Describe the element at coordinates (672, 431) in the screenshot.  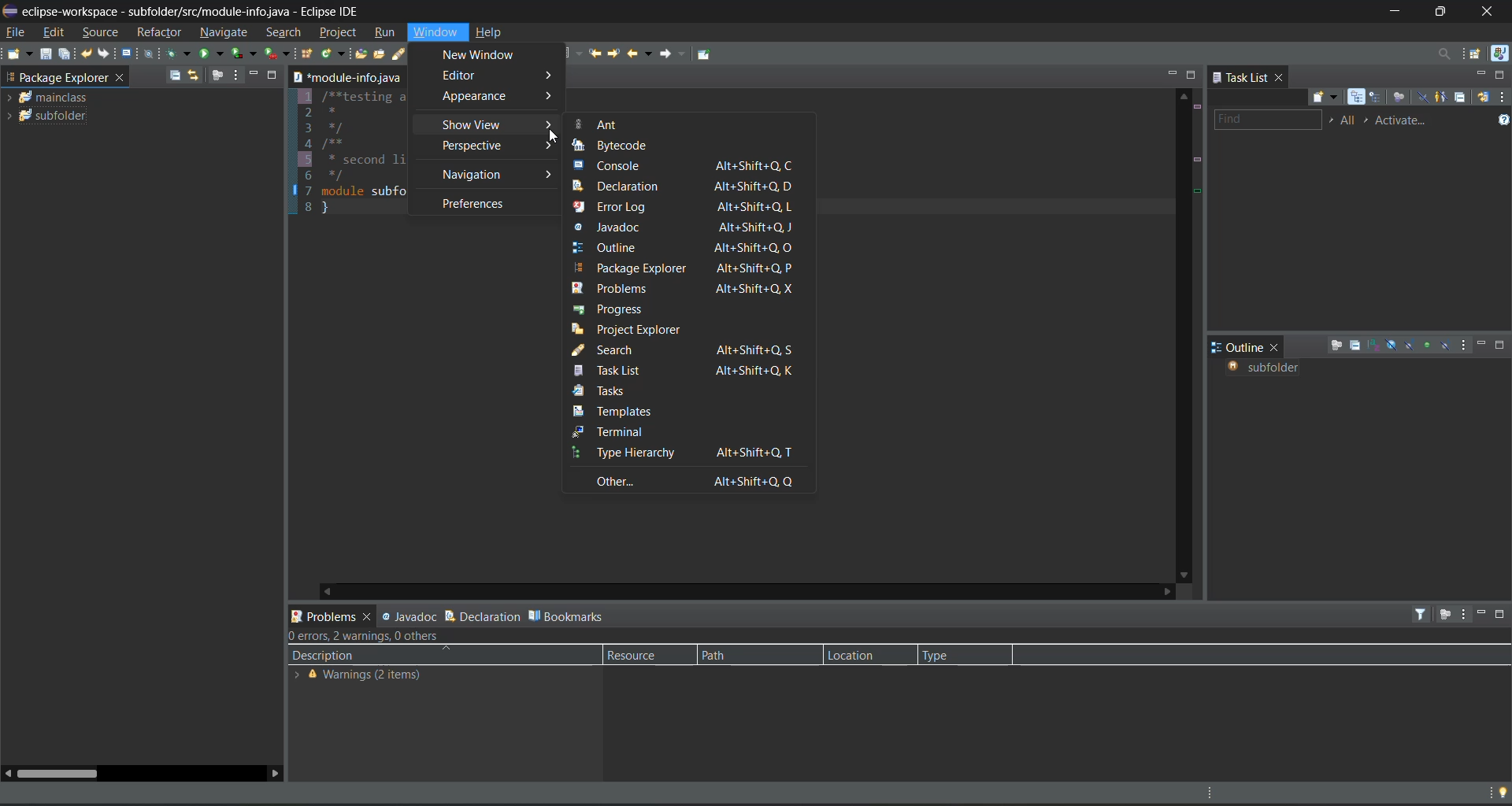
I see `terminal` at that location.